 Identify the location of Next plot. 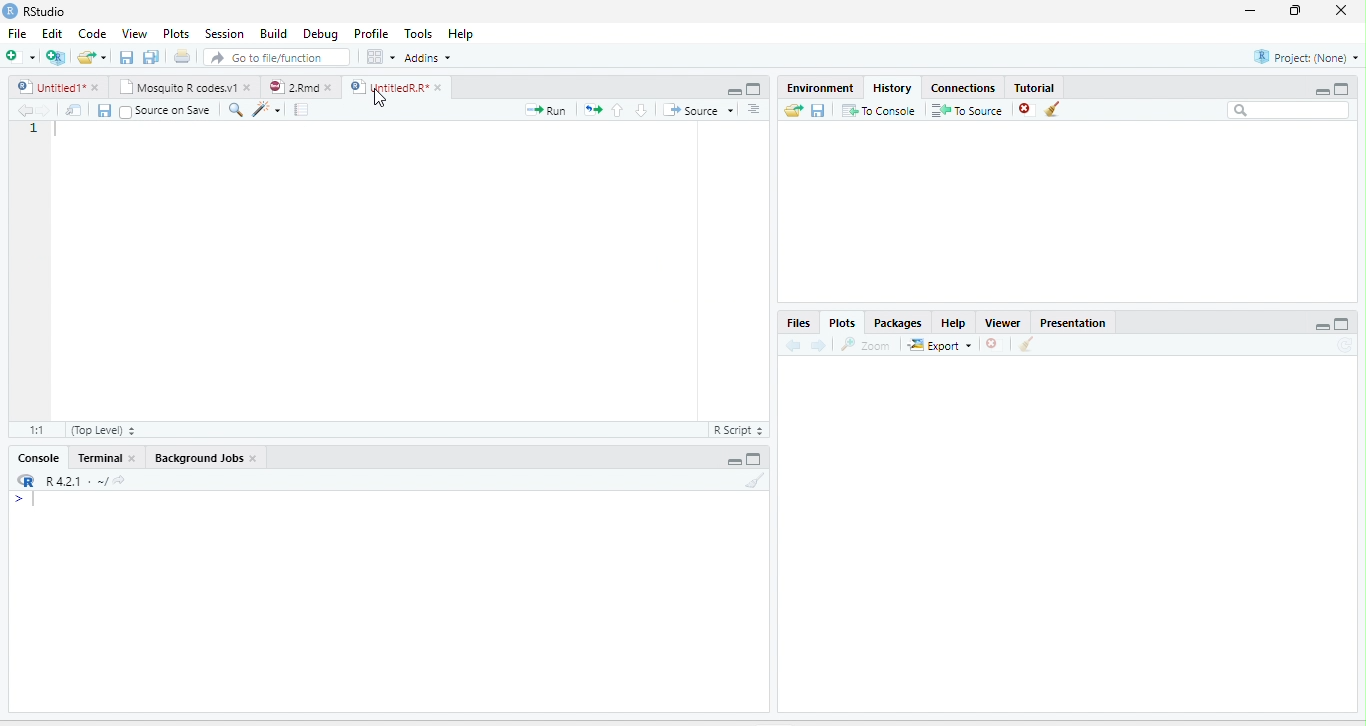
(818, 345).